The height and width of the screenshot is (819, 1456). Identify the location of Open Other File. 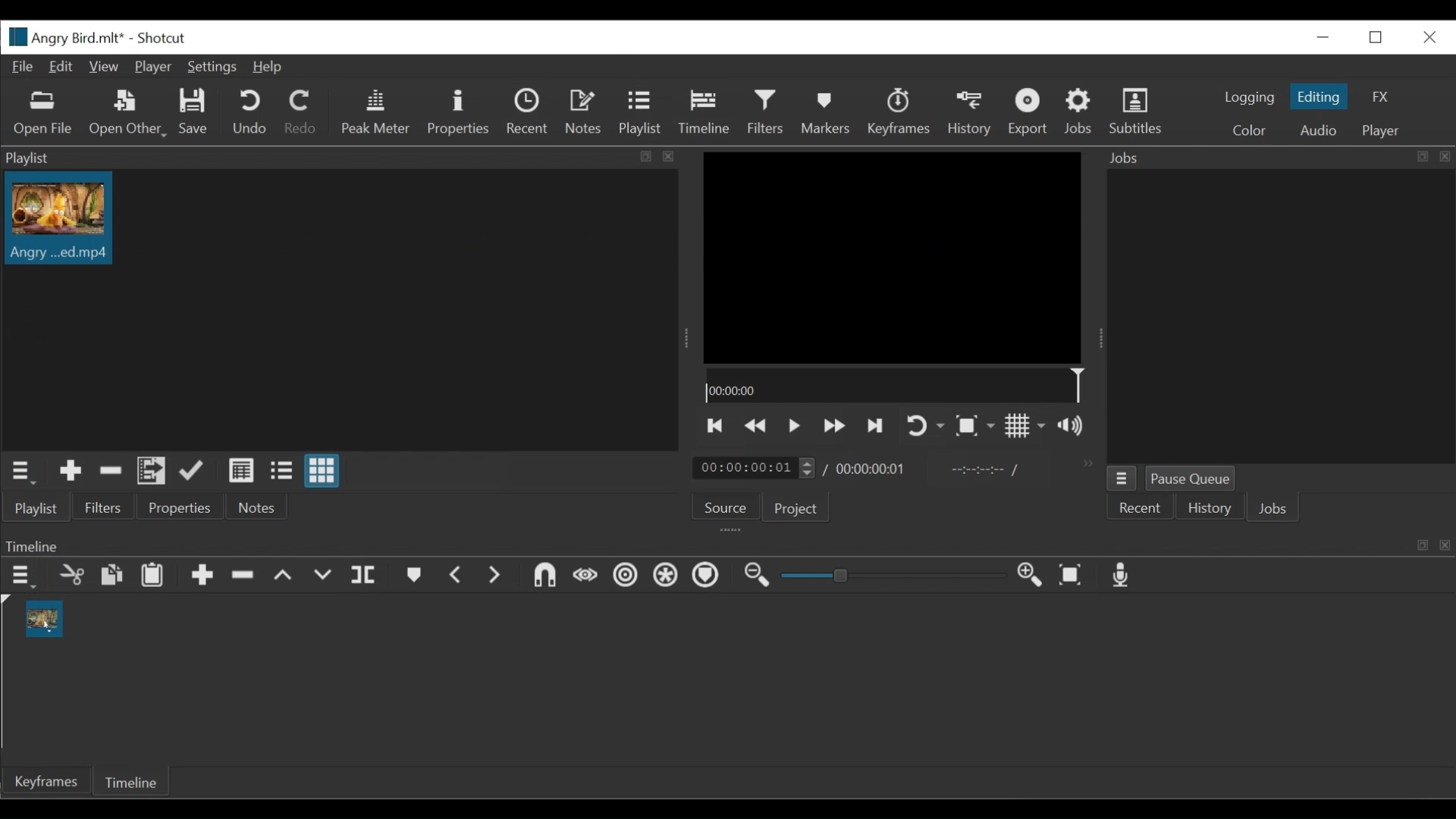
(45, 114).